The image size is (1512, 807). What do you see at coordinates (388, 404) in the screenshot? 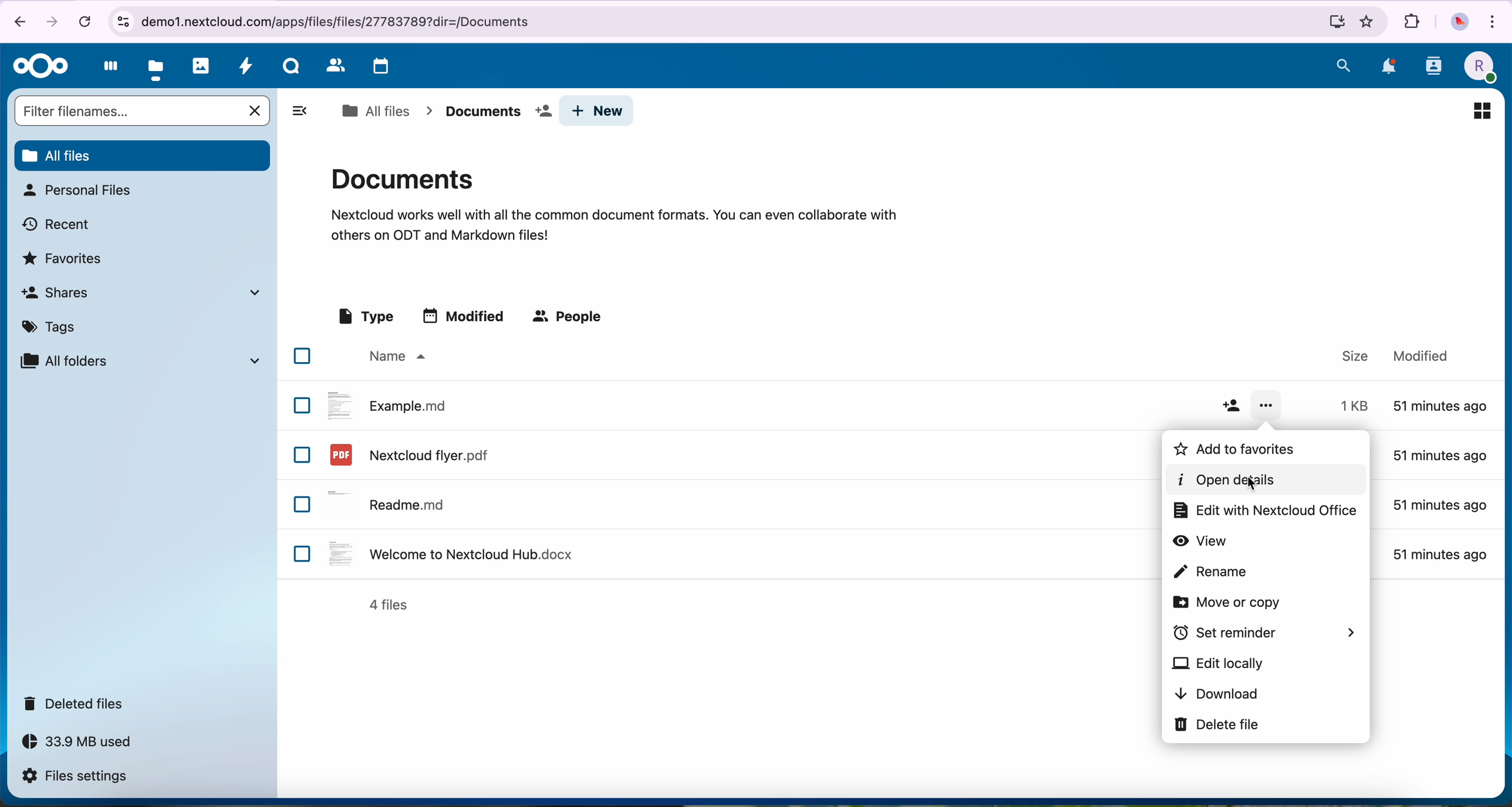
I see `example.md` at bounding box center [388, 404].